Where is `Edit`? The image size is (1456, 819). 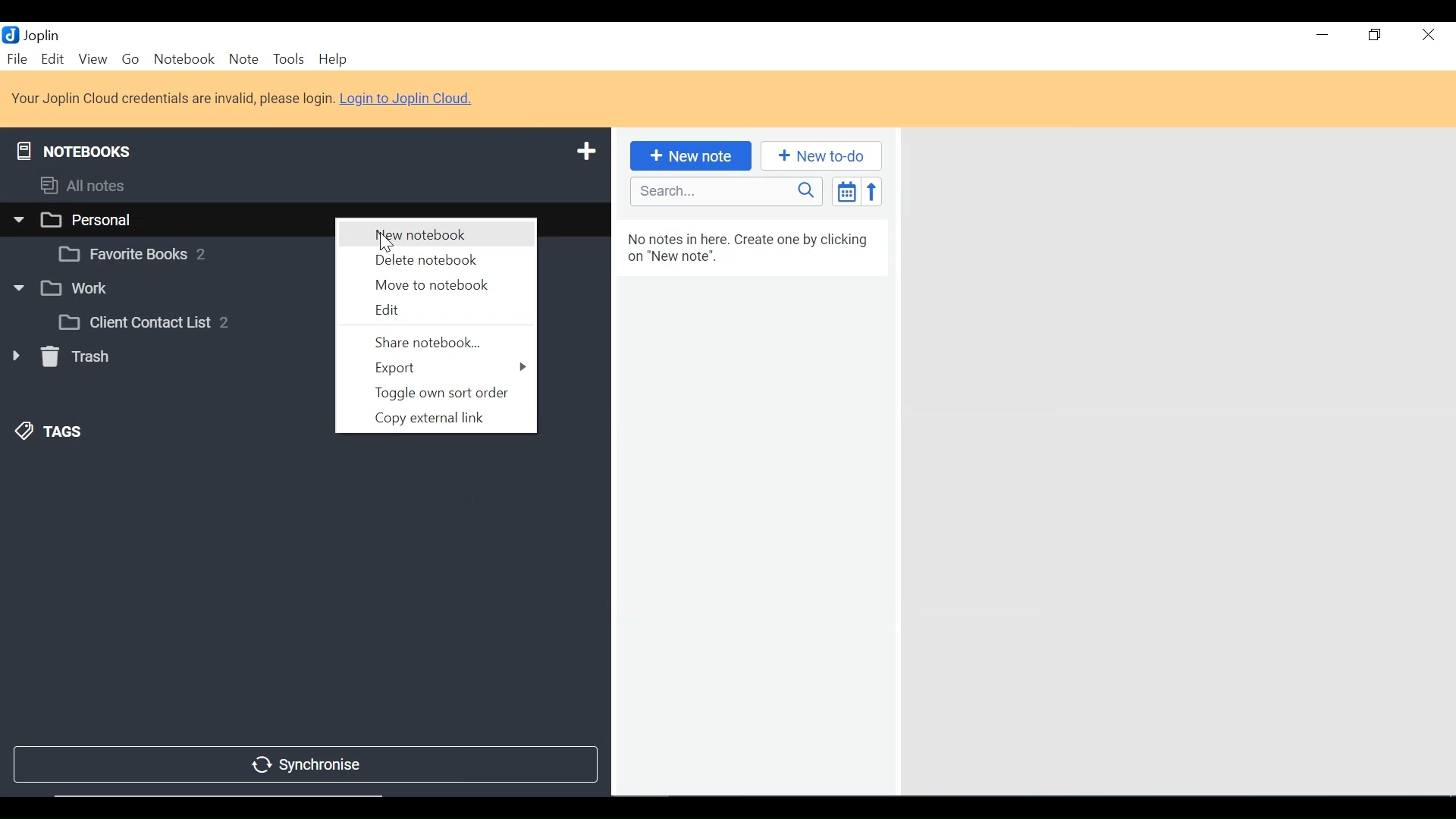 Edit is located at coordinates (53, 60).